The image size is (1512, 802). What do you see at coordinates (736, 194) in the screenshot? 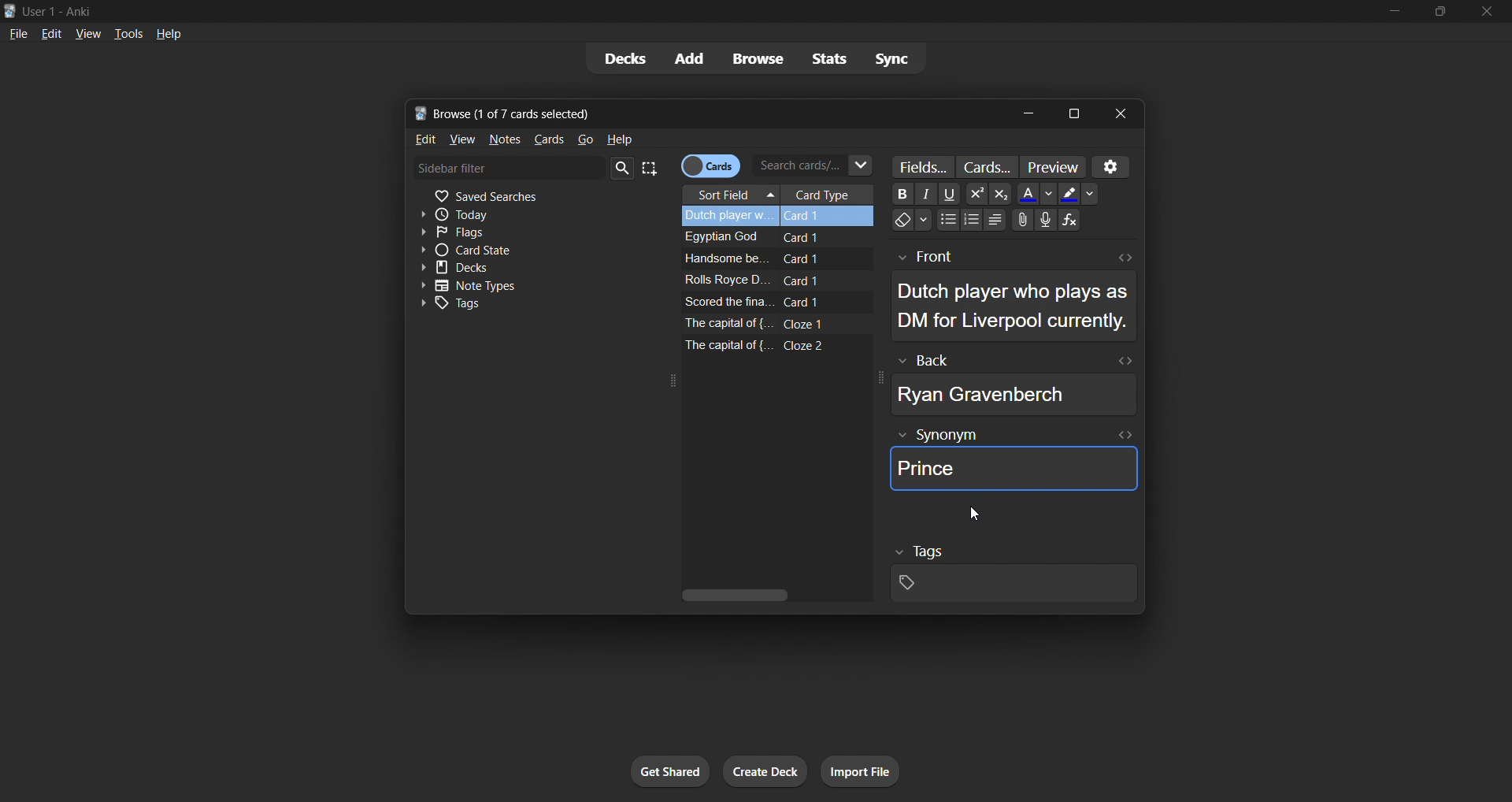
I see `sort field column` at bounding box center [736, 194].